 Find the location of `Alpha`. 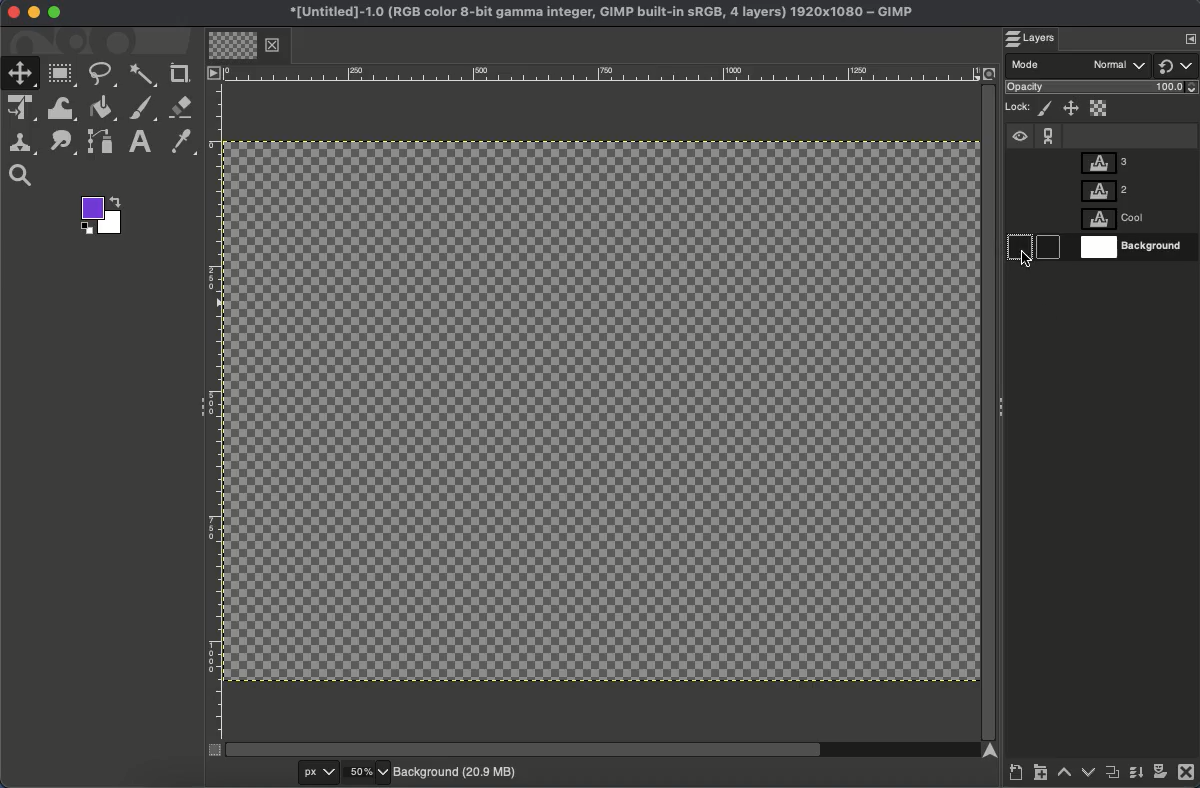

Alpha is located at coordinates (1100, 107).